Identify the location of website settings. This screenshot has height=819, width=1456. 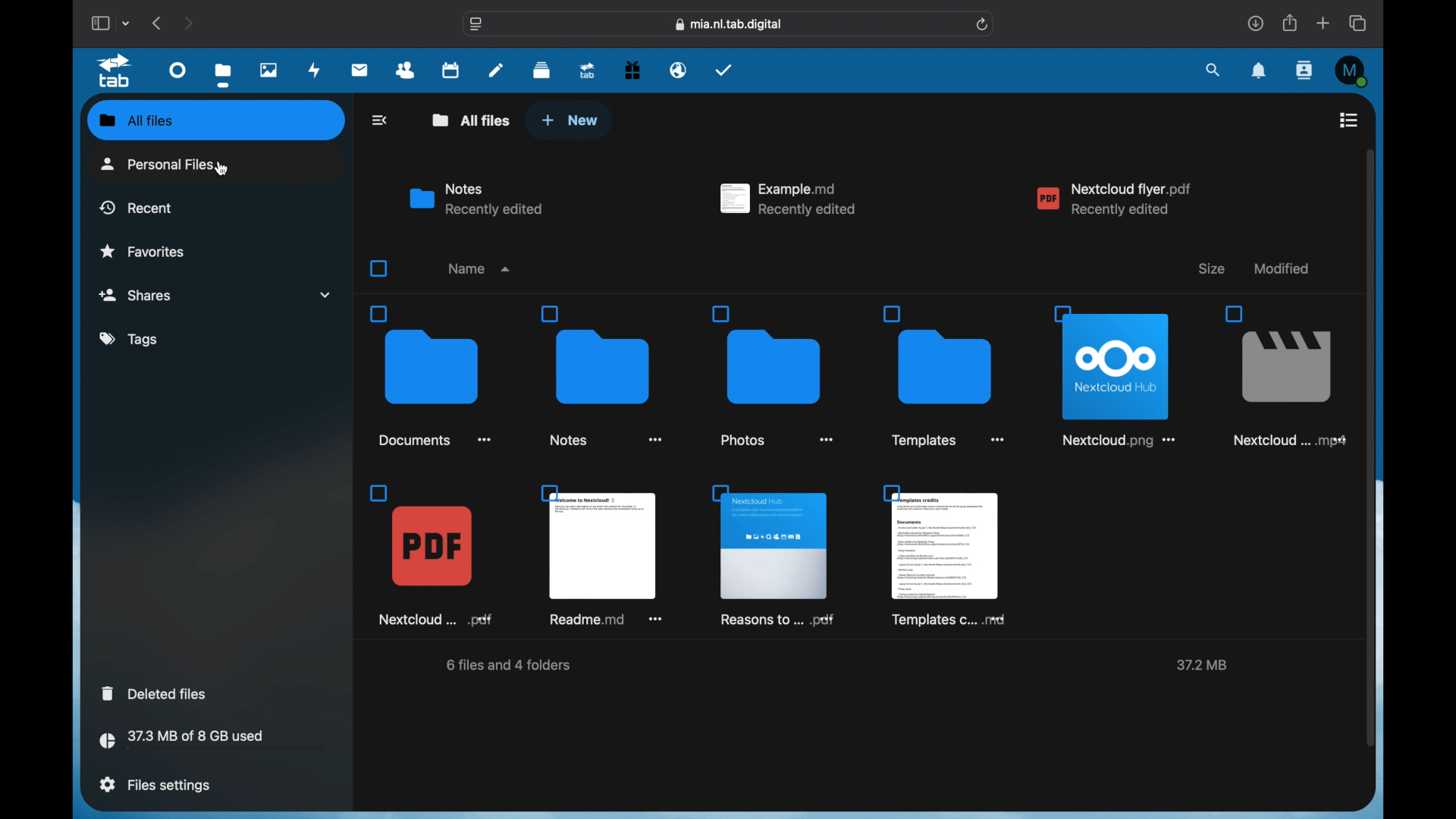
(476, 24).